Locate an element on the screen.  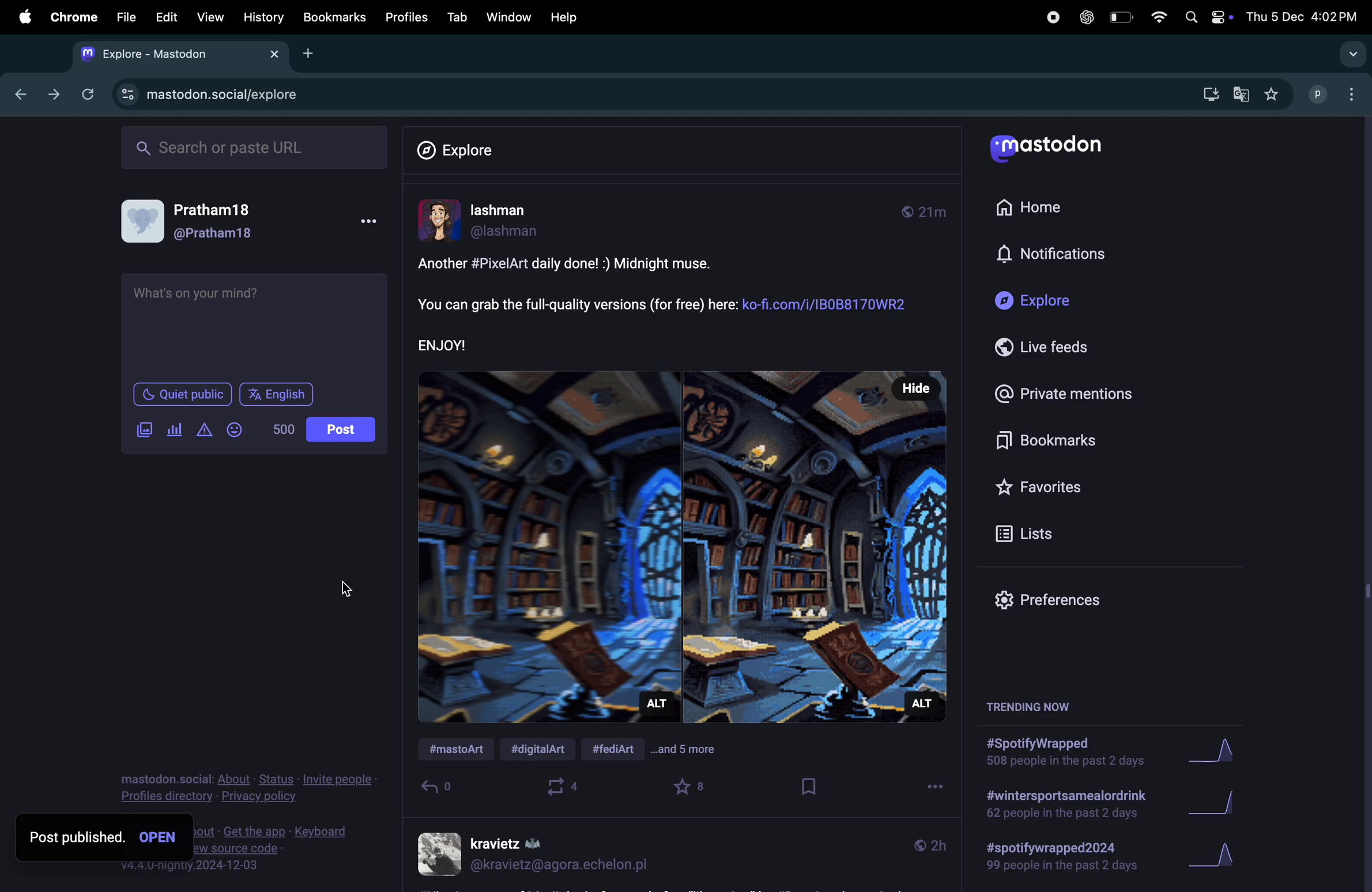
Image is located at coordinates (682, 542).